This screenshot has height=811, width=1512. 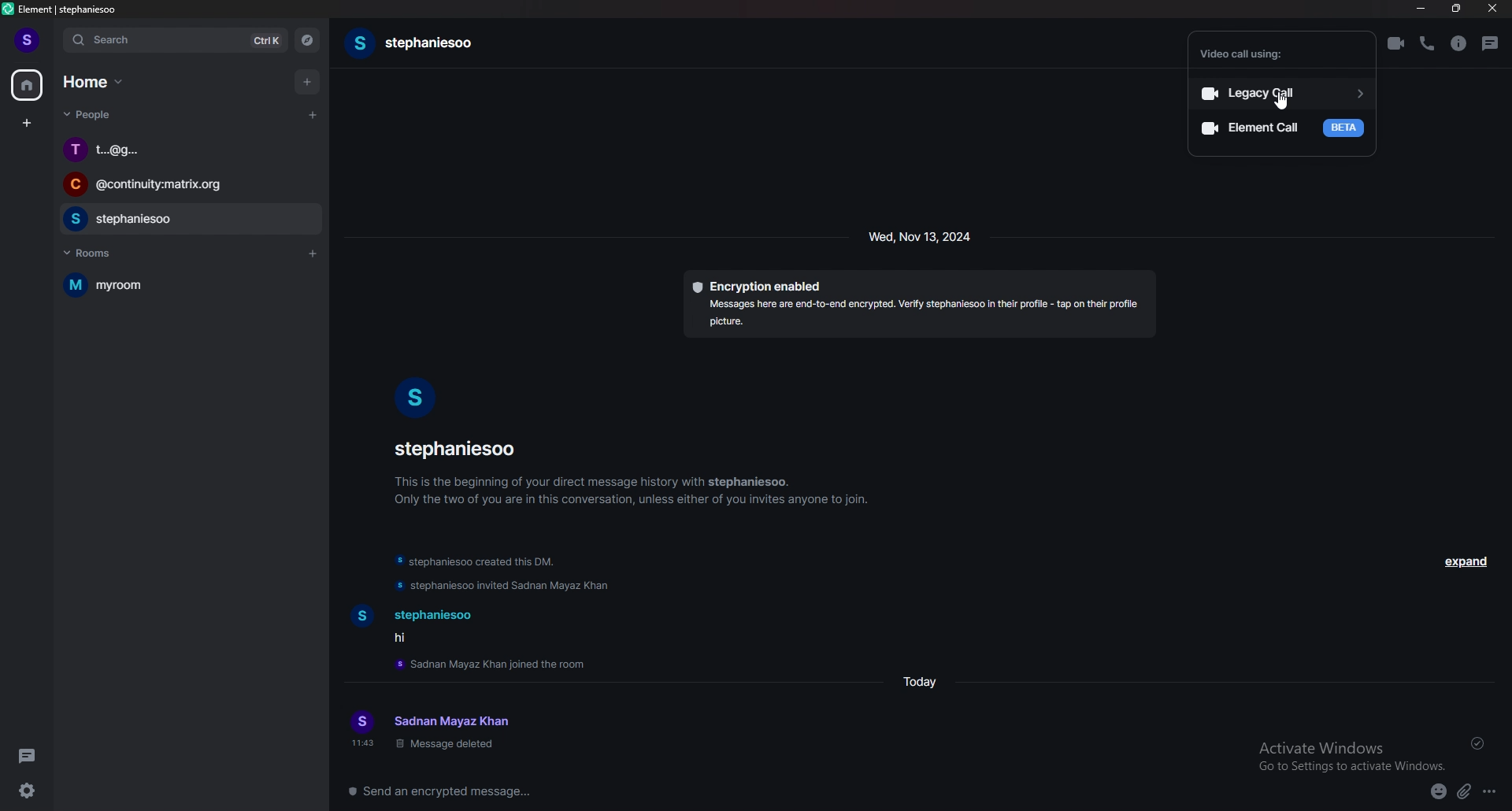 What do you see at coordinates (920, 304) in the screenshot?
I see `encryption details` at bounding box center [920, 304].